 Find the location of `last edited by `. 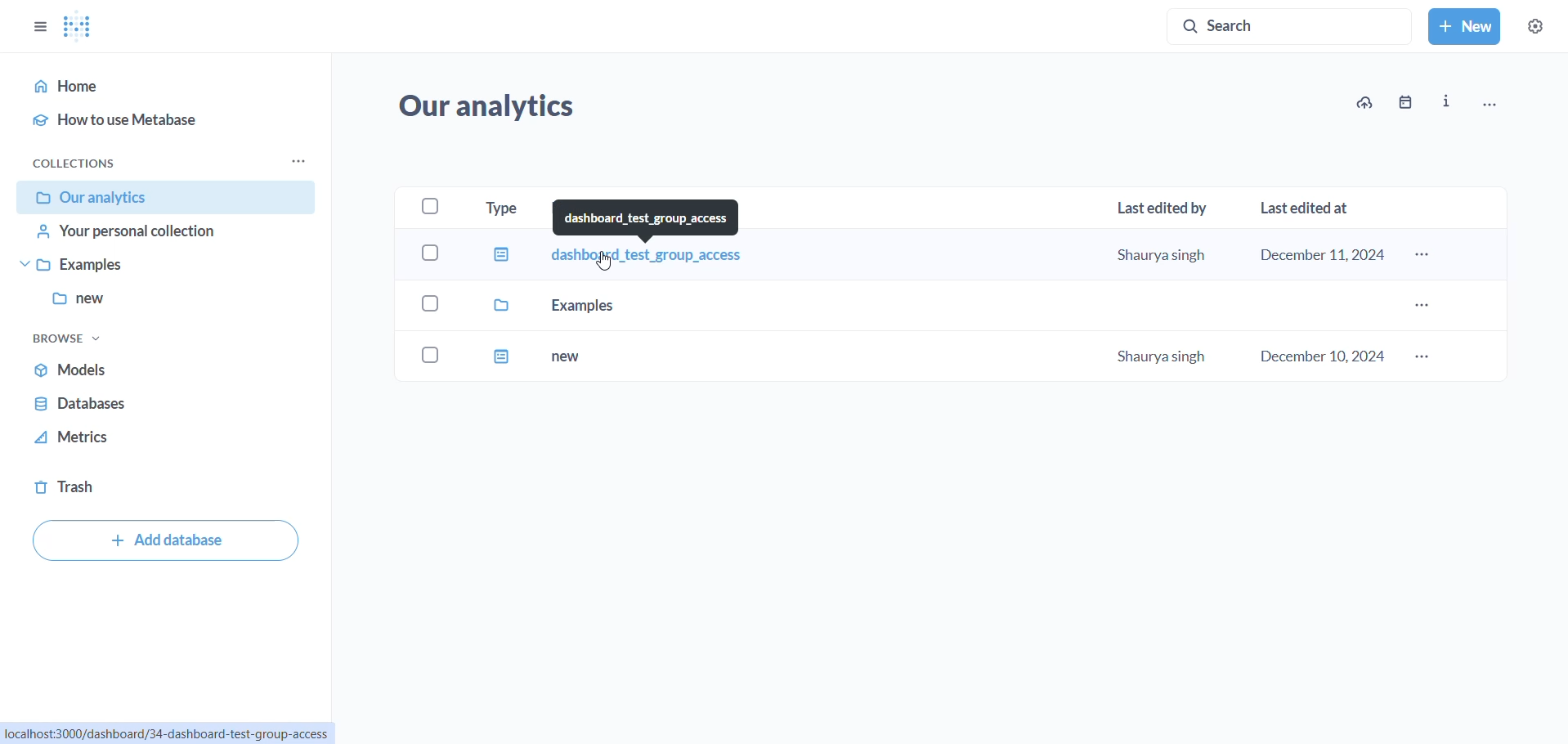

last edited by  is located at coordinates (1167, 208).